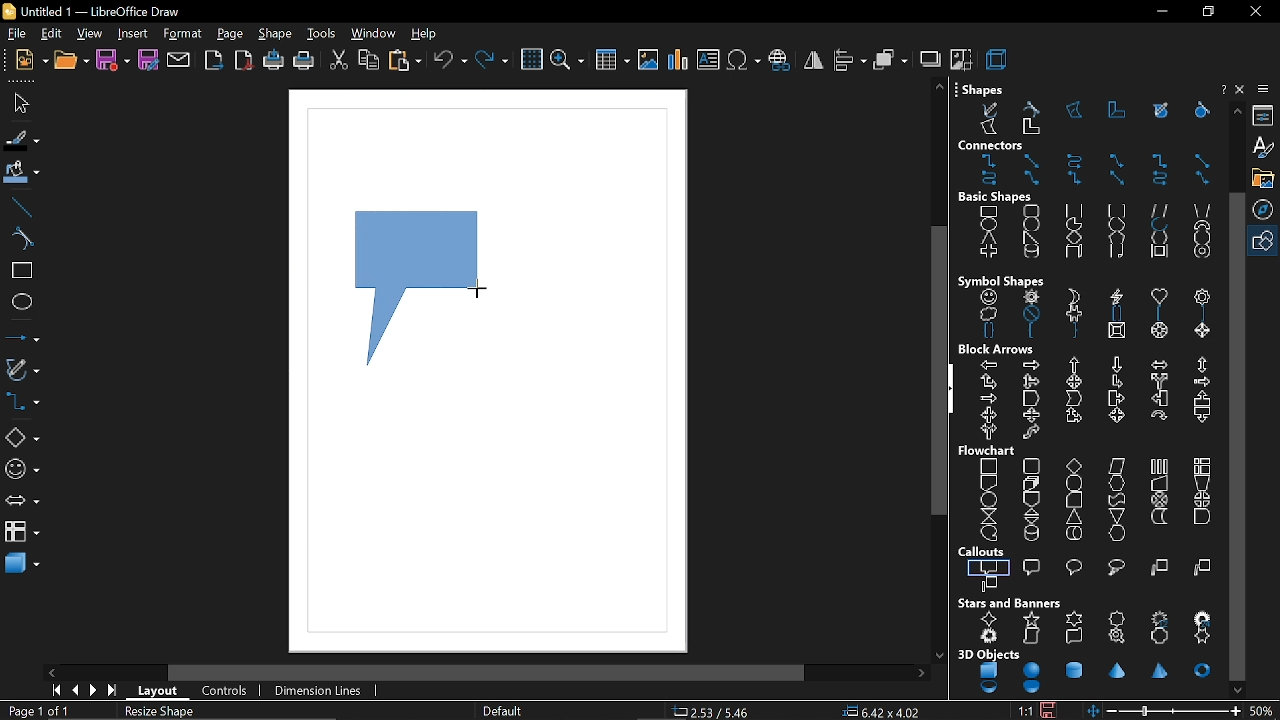 Image resolution: width=1280 pixels, height=720 pixels. What do you see at coordinates (990, 414) in the screenshot?
I see `left and right arrow callout` at bounding box center [990, 414].